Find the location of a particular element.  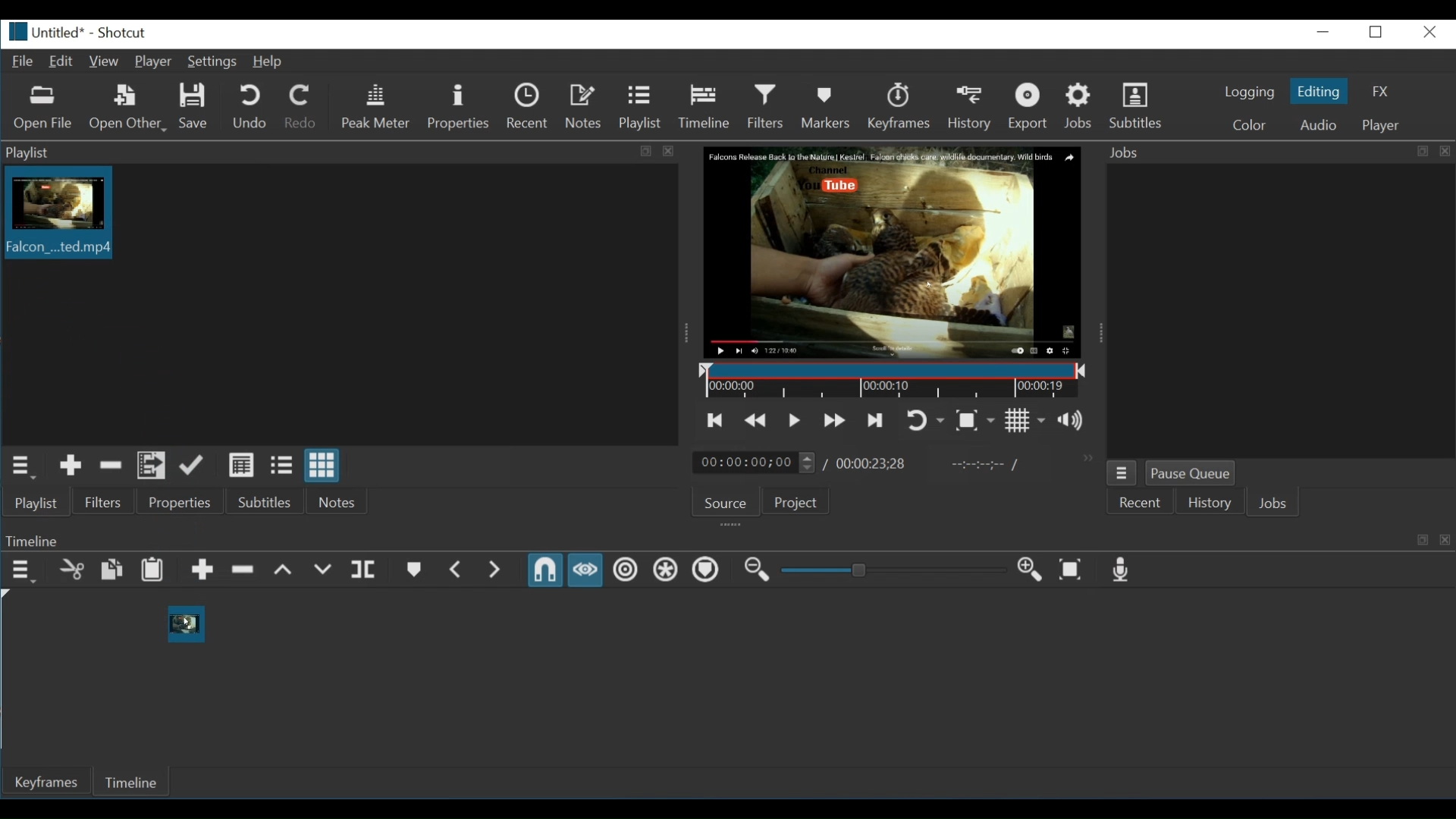

Skip to the next point is located at coordinates (873, 420).